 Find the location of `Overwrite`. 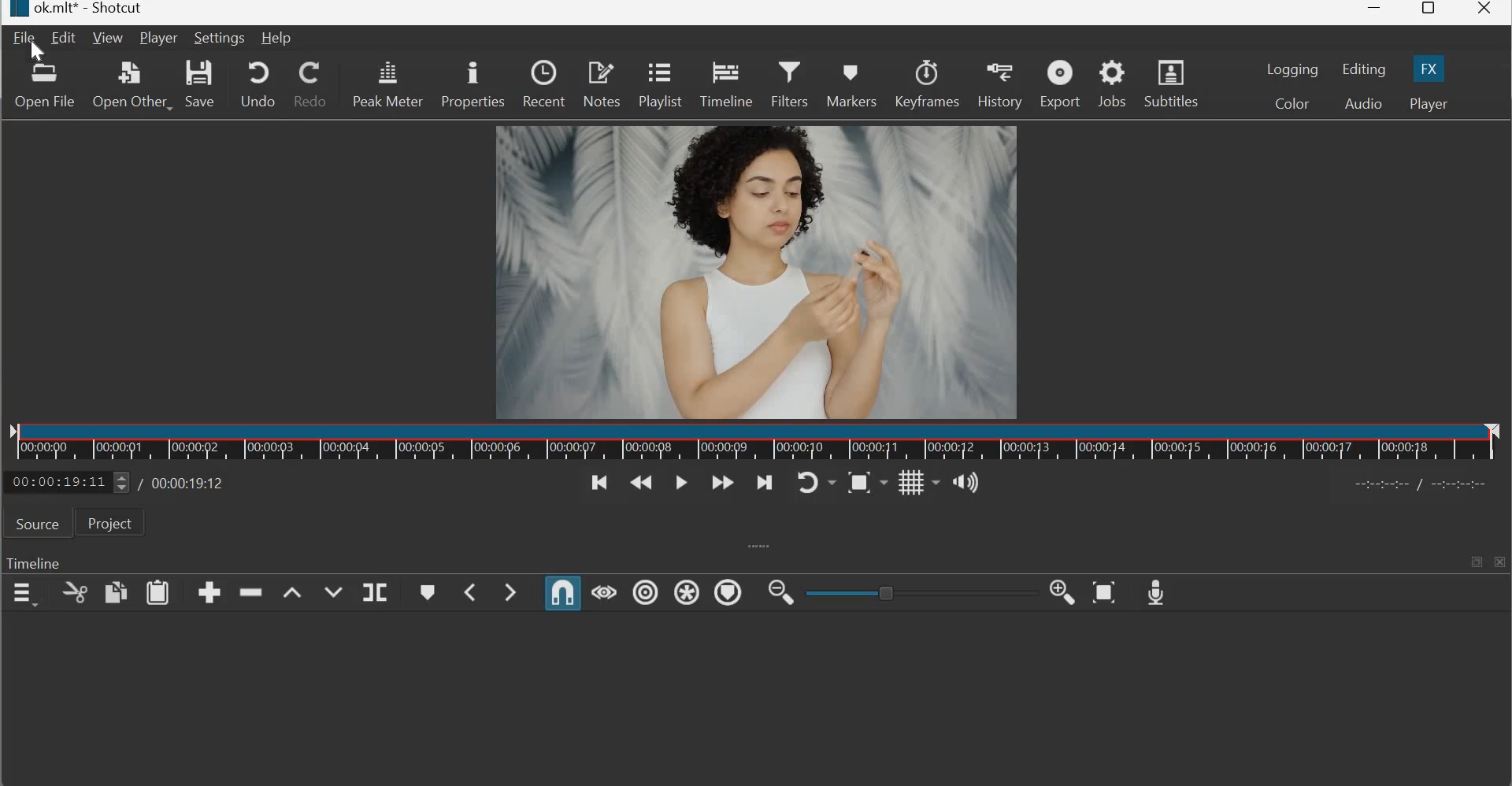

Overwrite is located at coordinates (332, 592).